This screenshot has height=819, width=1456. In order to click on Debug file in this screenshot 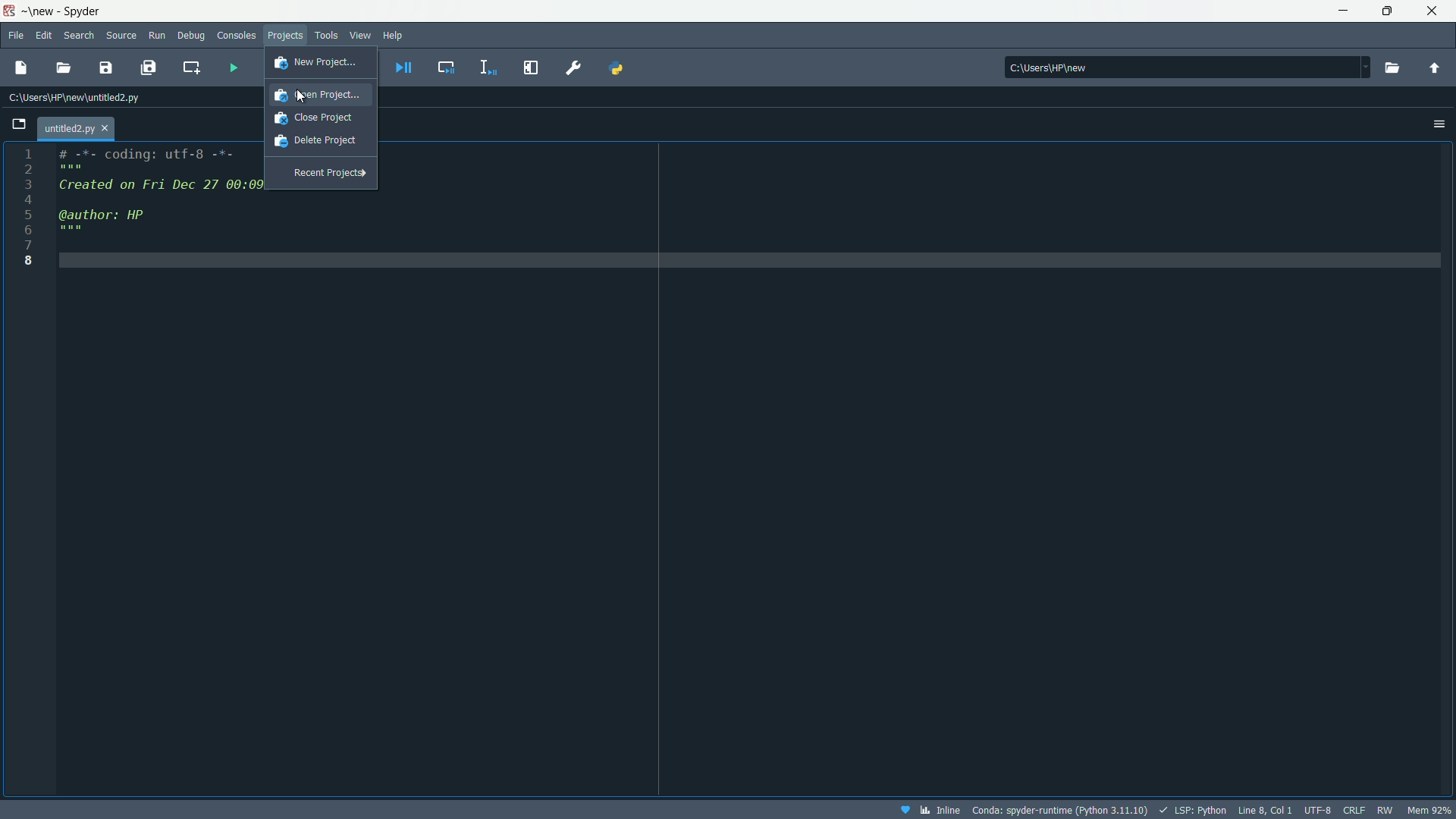, I will do `click(405, 67)`.